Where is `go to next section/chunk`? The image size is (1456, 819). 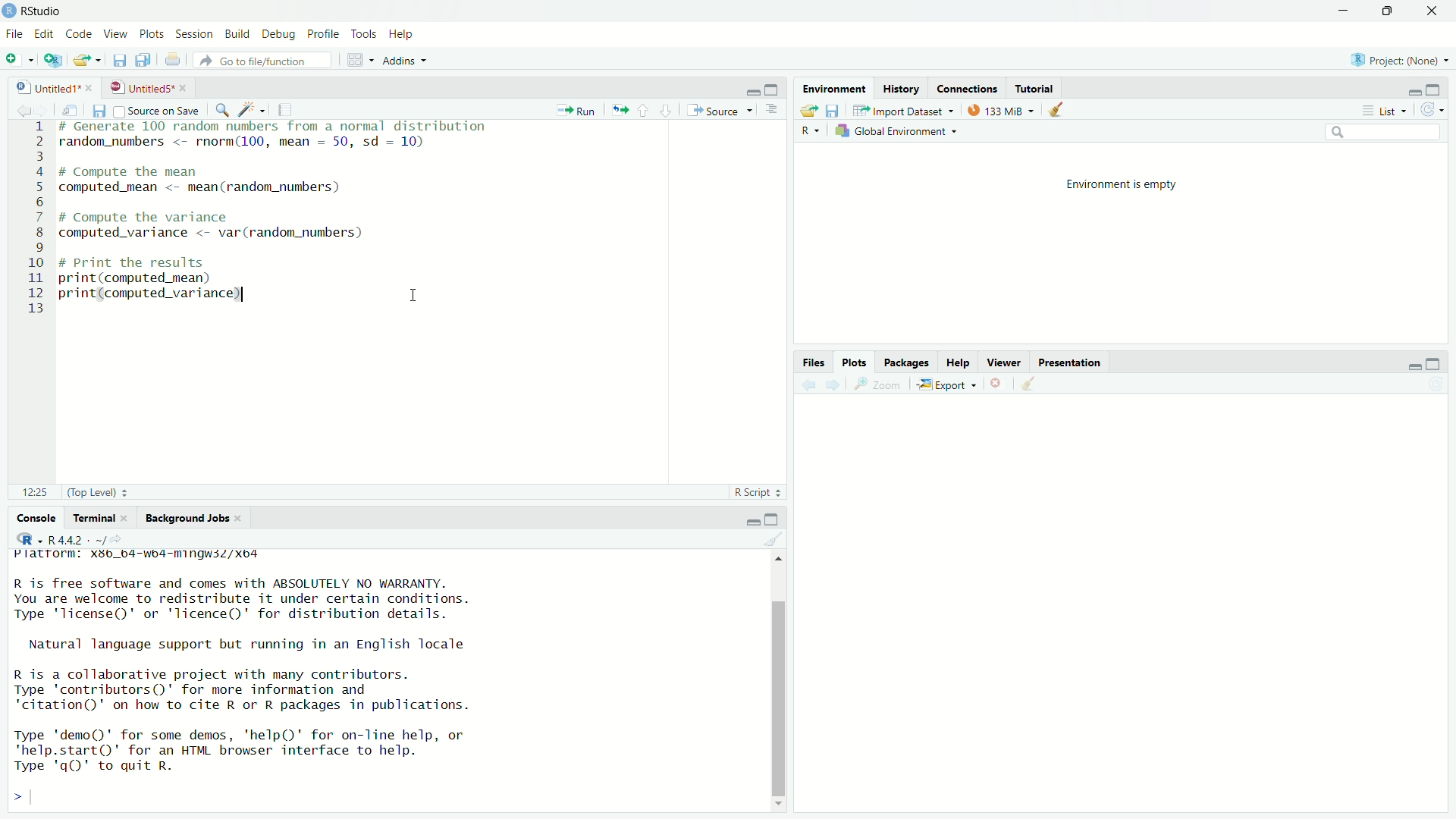 go to next section/chunk is located at coordinates (667, 110).